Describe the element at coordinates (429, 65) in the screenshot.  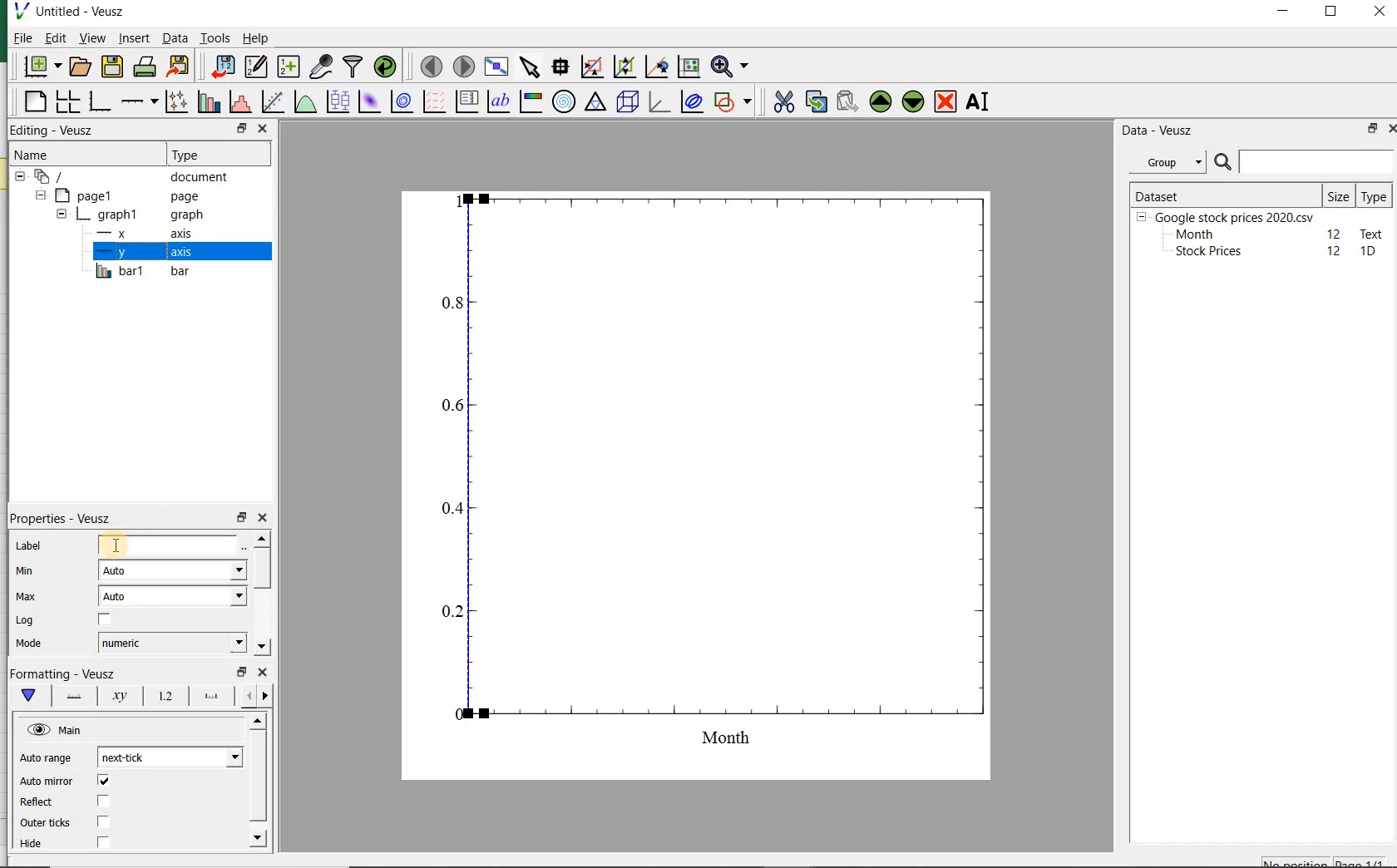
I see `move to the previous page` at that location.